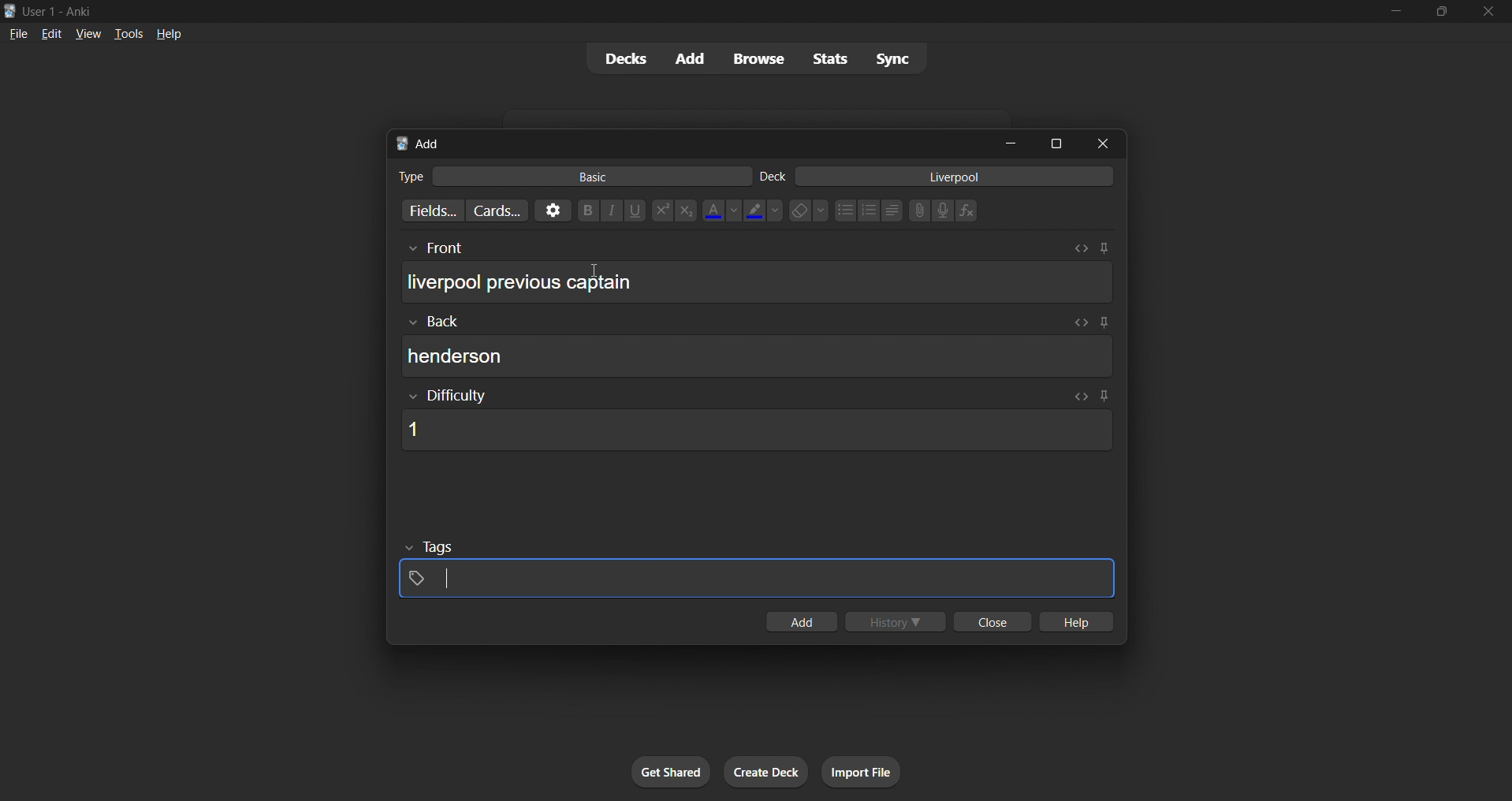  I want to click on customize card templates, so click(495, 210).